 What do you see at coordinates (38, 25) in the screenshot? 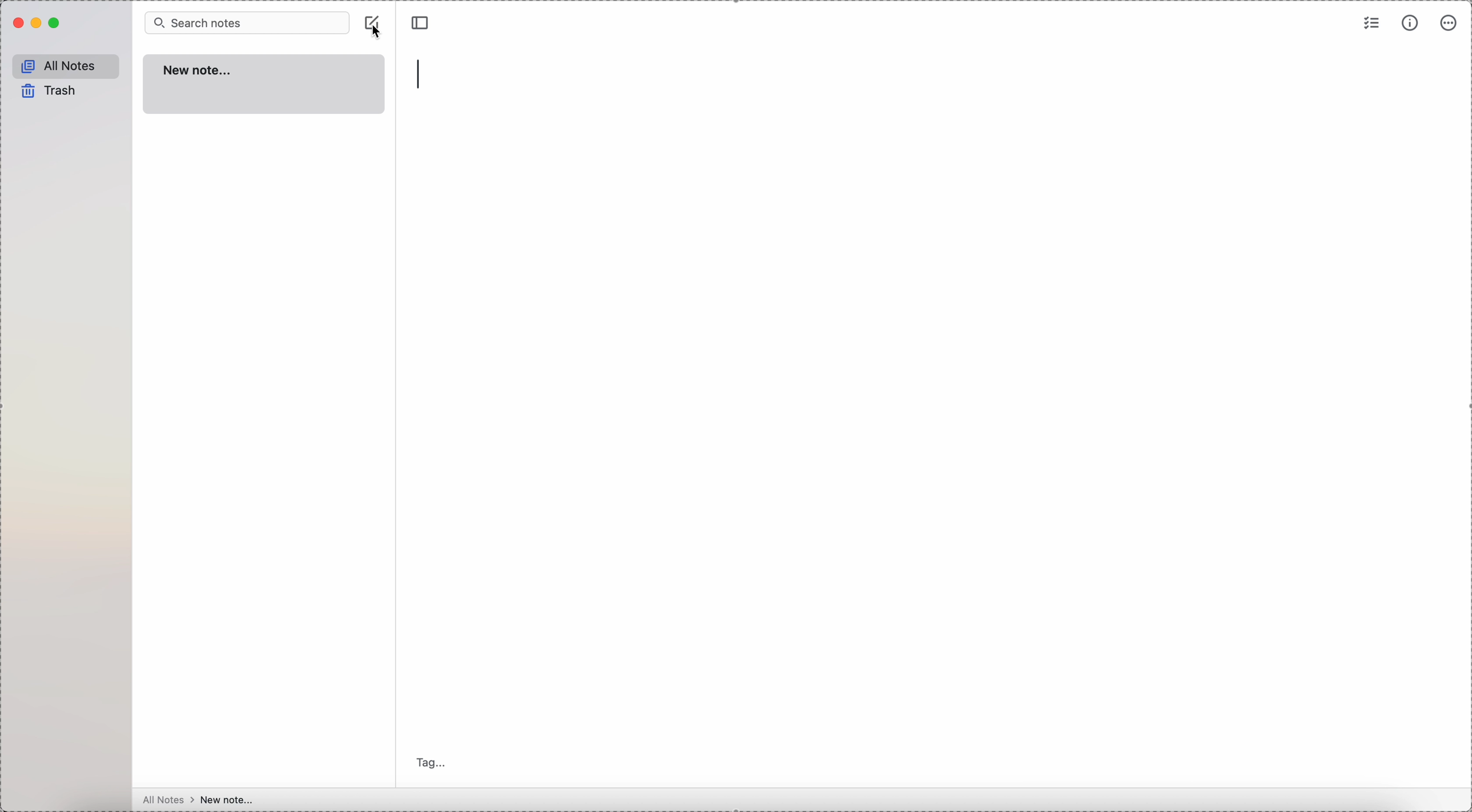
I see `minimize Simplenote` at bounding box center [38, 25].